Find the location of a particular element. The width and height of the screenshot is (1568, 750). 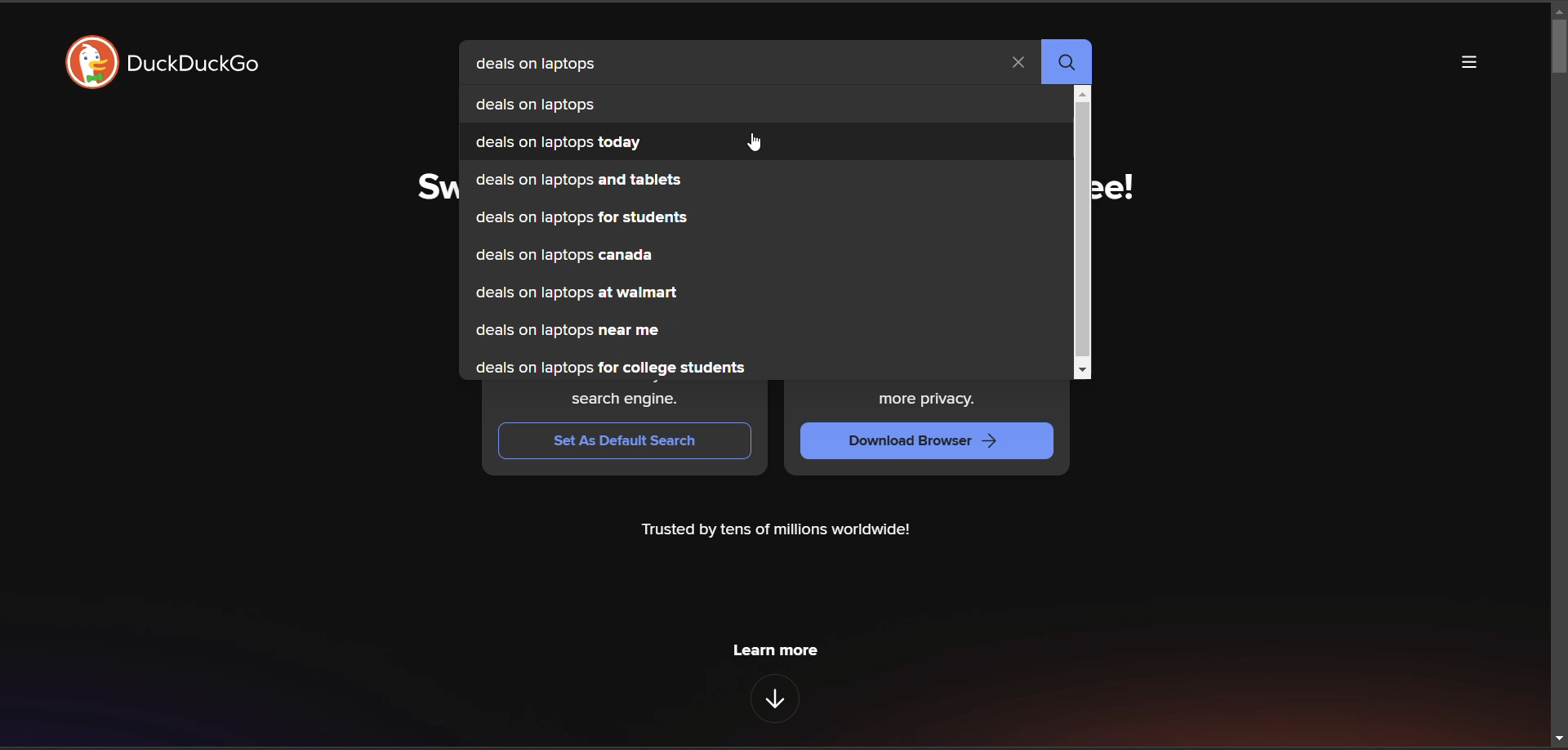

deals on laptops near me is located at coordinates (572, 333).